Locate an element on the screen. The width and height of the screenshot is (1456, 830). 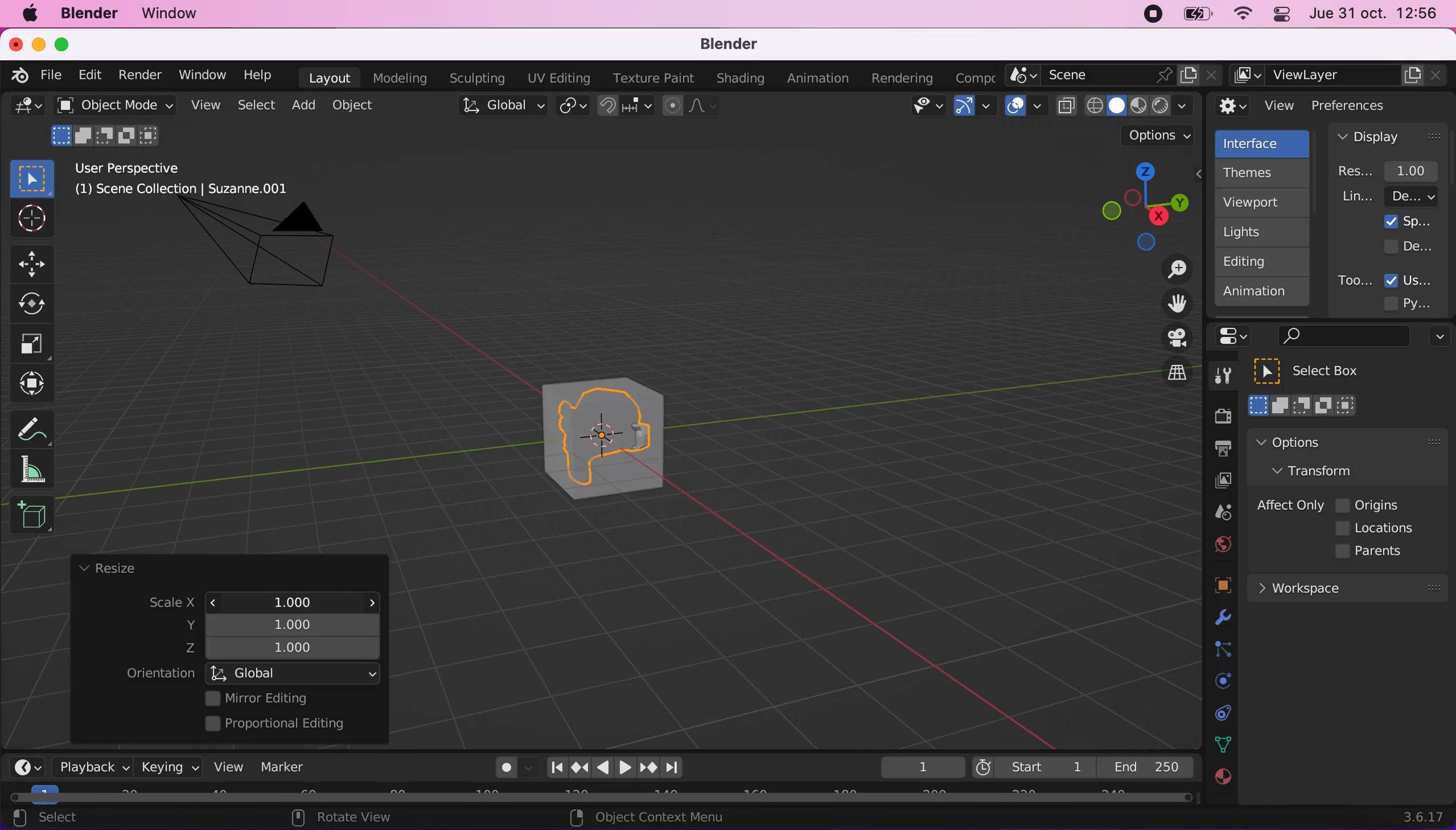
preferences is located at coordinates (1368, 105).